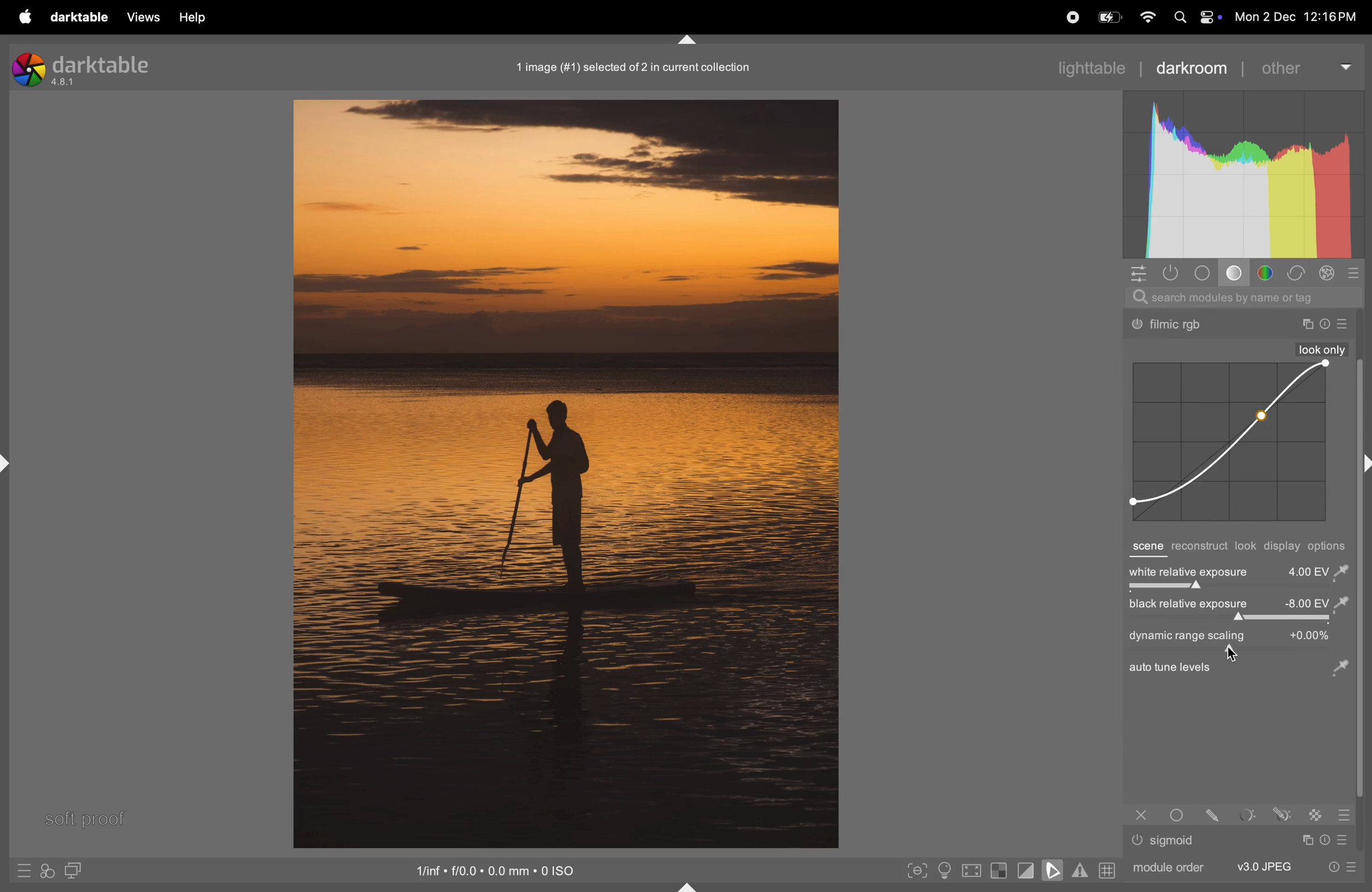  What do you see at coordinates (1327, 273) in the screenshot?
I see `effect` at bounding box center [1327, 273].